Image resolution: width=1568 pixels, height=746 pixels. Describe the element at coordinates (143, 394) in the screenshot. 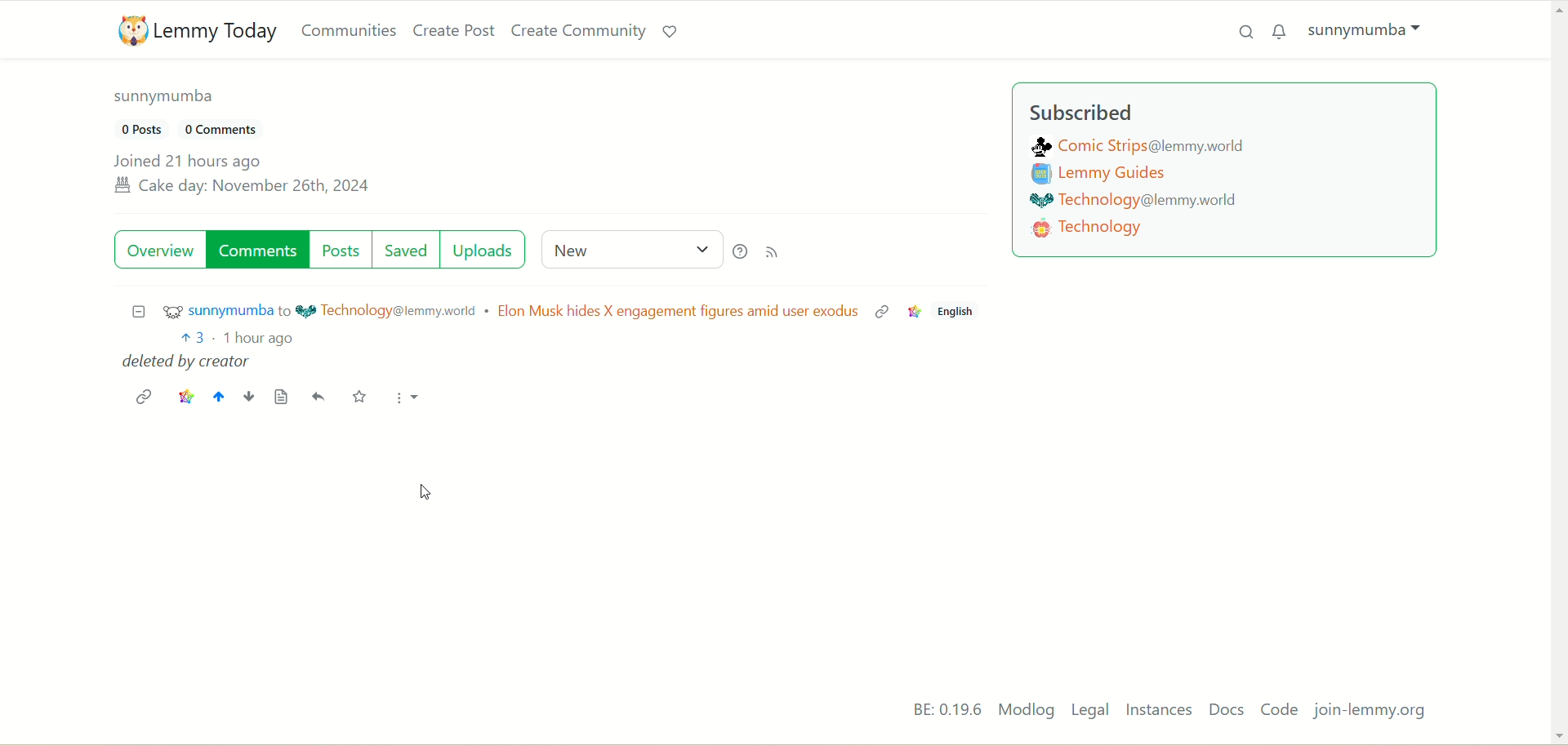

I see `link` at that location.